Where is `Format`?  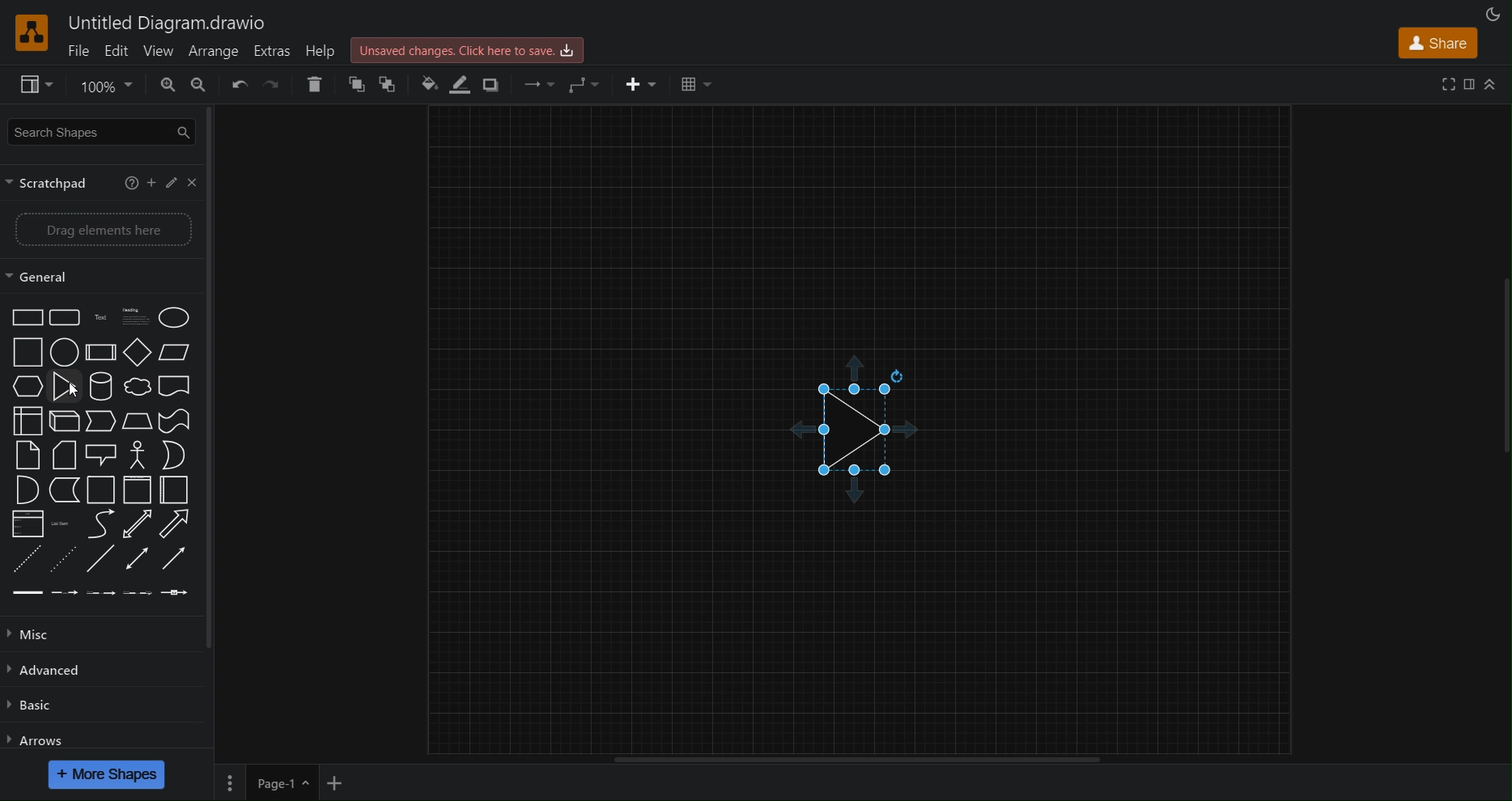
Format is located at coordinates (1471, 83).